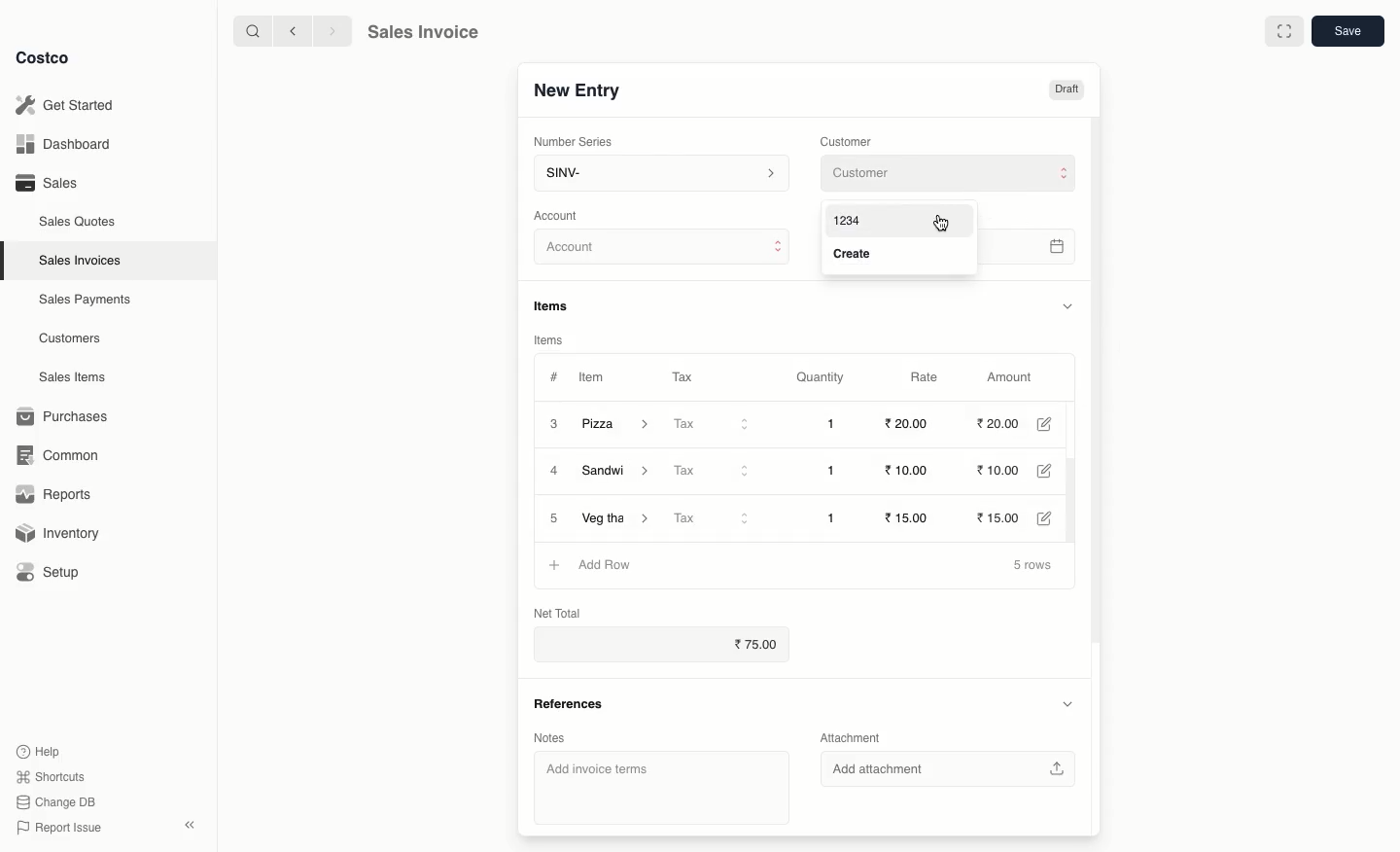 This screenshot has height=852, width=1400. What do you see at coordinates (1350, 33) in the screenshot?
I see `Save` at bounding box center [1350, 33].